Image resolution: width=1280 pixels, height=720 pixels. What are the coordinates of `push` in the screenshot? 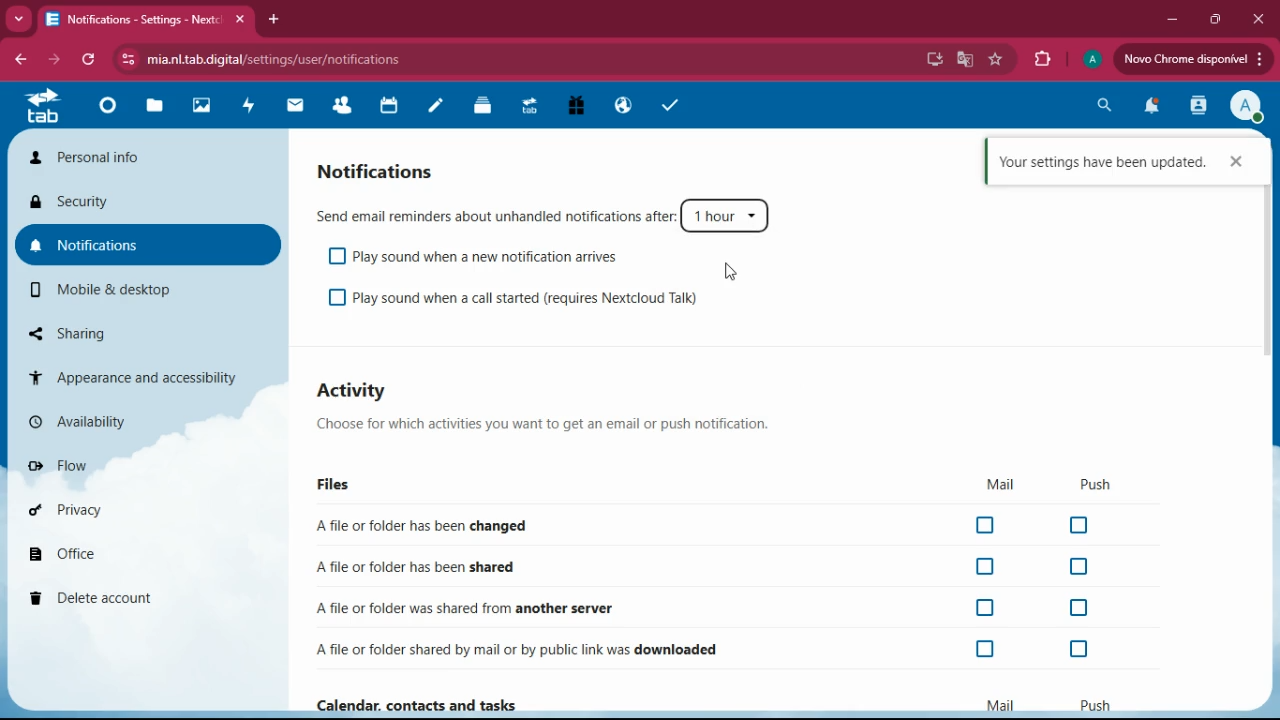 It's located at (1094, 488).